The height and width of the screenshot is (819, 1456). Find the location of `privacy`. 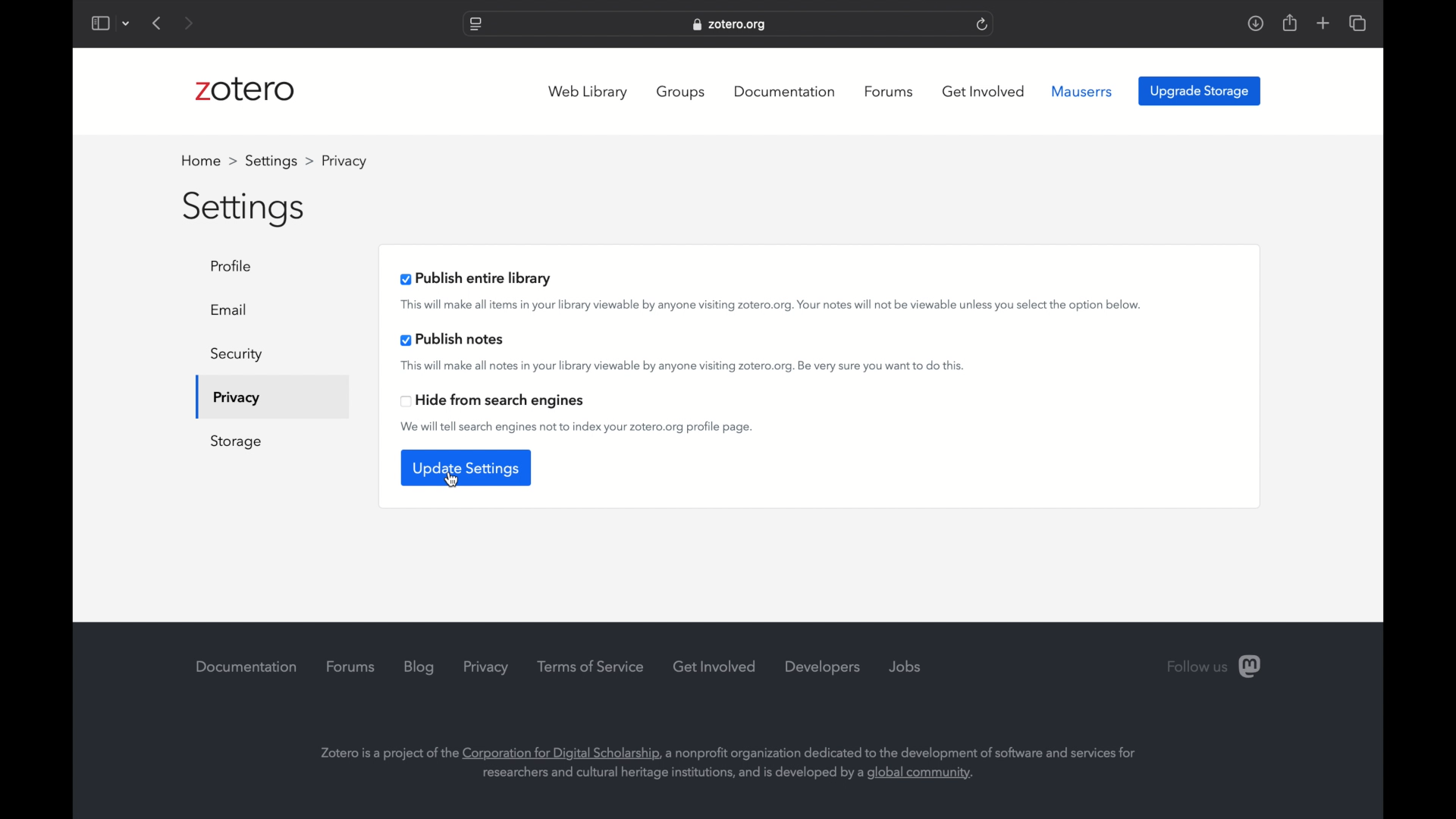

privacy is located at coordinates (486, 667).